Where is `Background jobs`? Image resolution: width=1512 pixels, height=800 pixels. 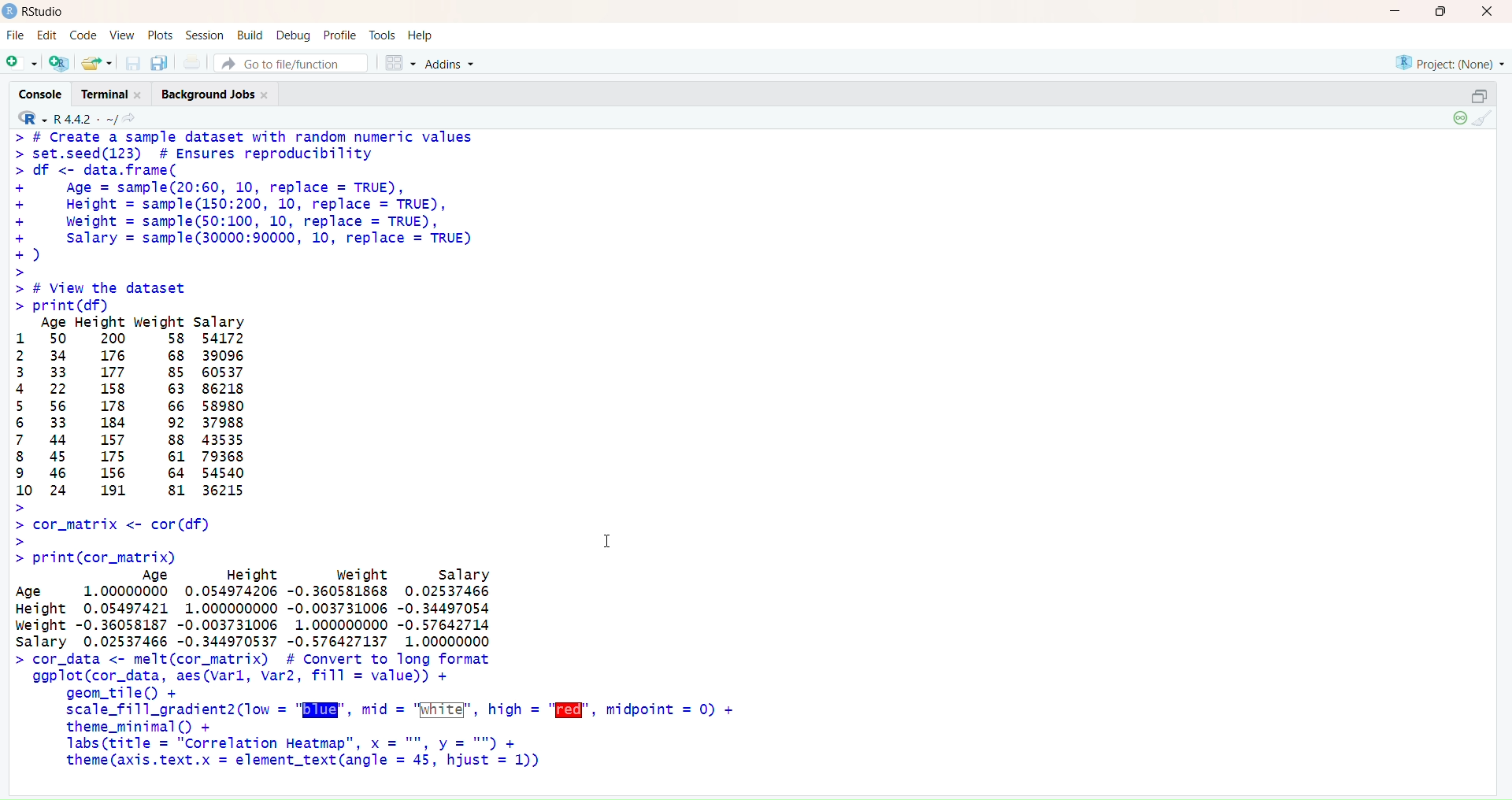 Background jobs is located at coordinates (217, 95).